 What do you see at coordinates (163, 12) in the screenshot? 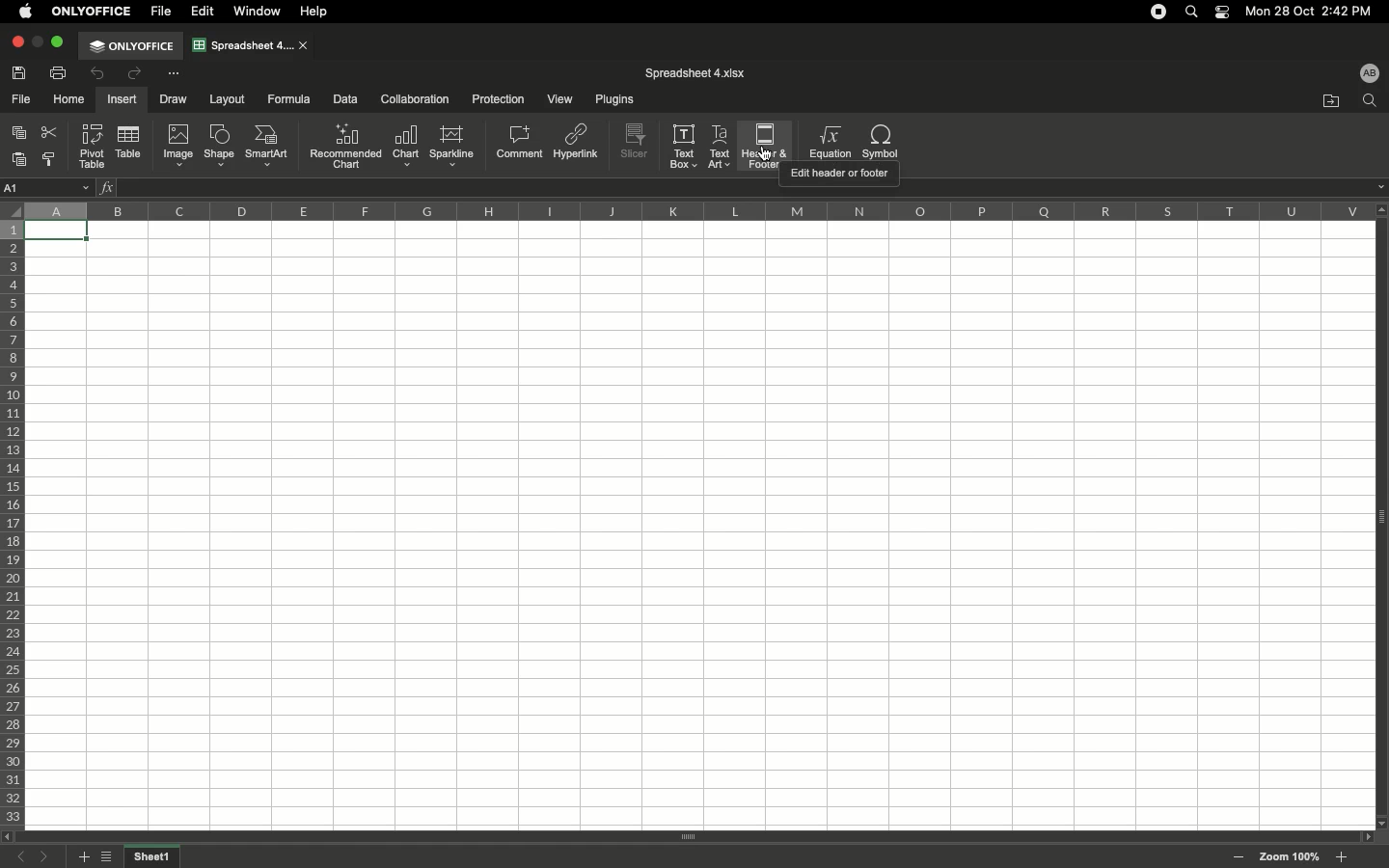
I see `File` at bounding box center [163, 12].